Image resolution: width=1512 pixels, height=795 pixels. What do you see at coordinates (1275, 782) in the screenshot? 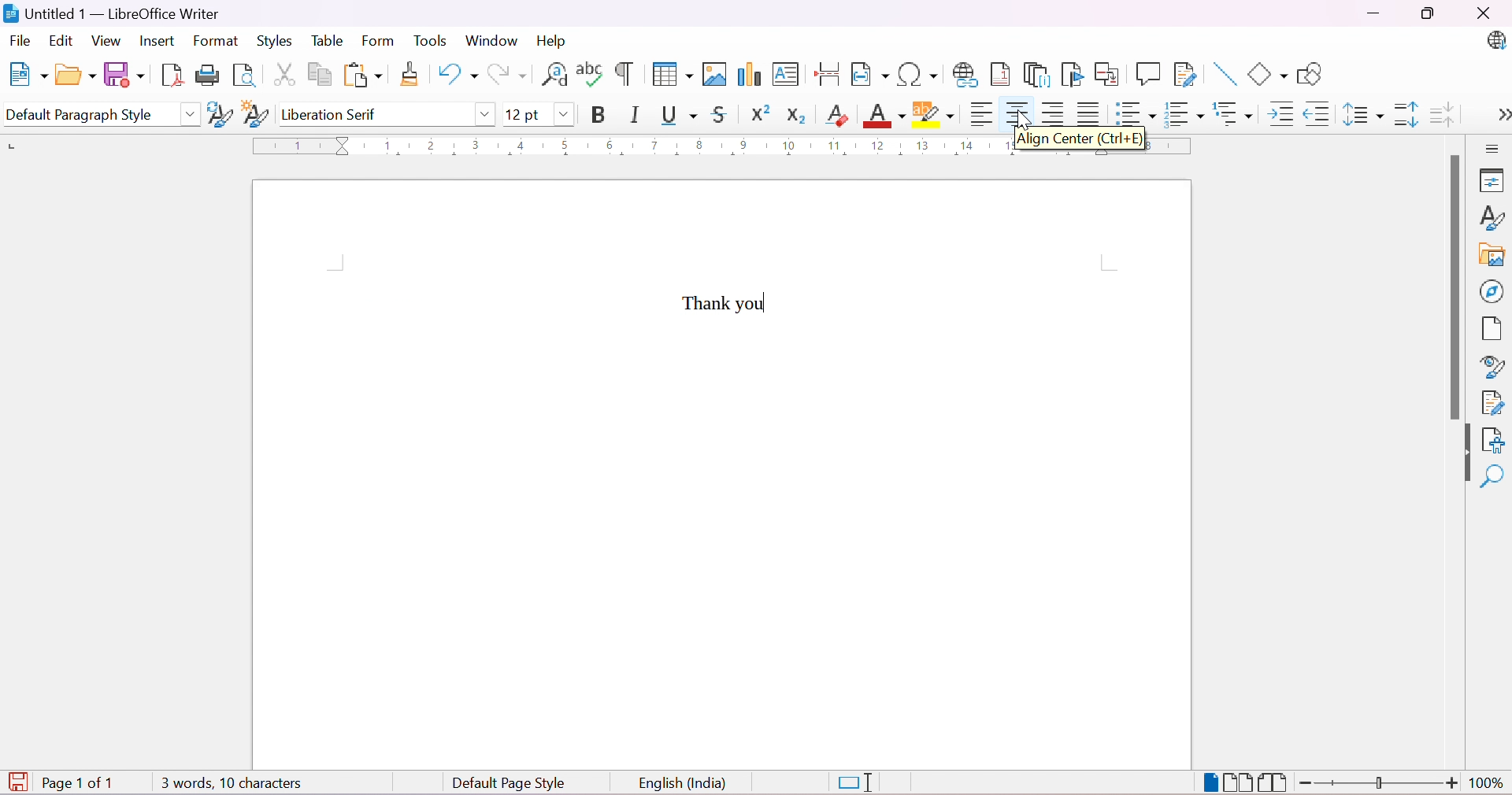
I see `Book View` at bounding box center [1275, 782].